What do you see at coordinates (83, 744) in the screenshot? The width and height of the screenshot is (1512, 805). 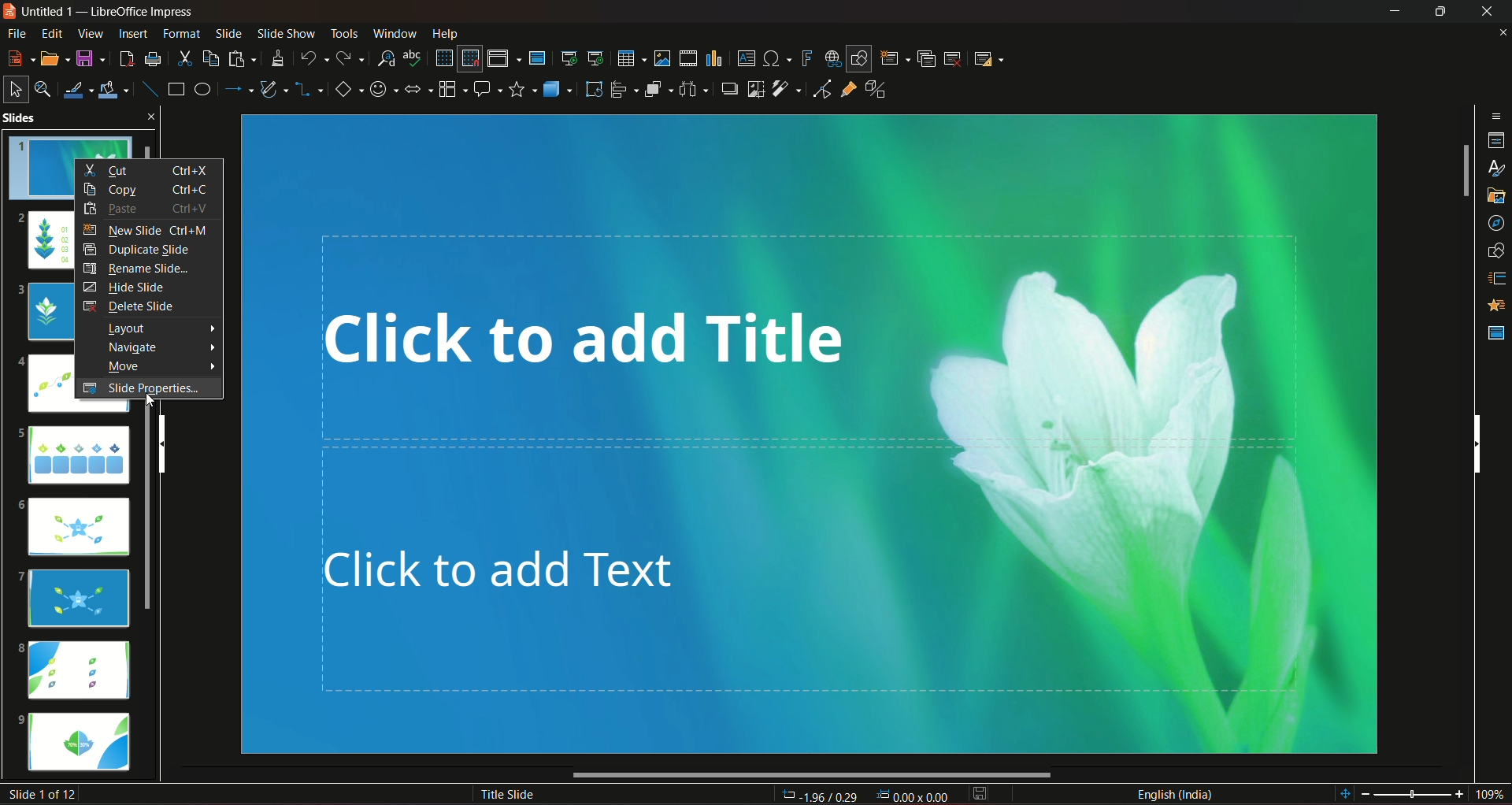 I see `slide 9` at bounding box center [83, 744].